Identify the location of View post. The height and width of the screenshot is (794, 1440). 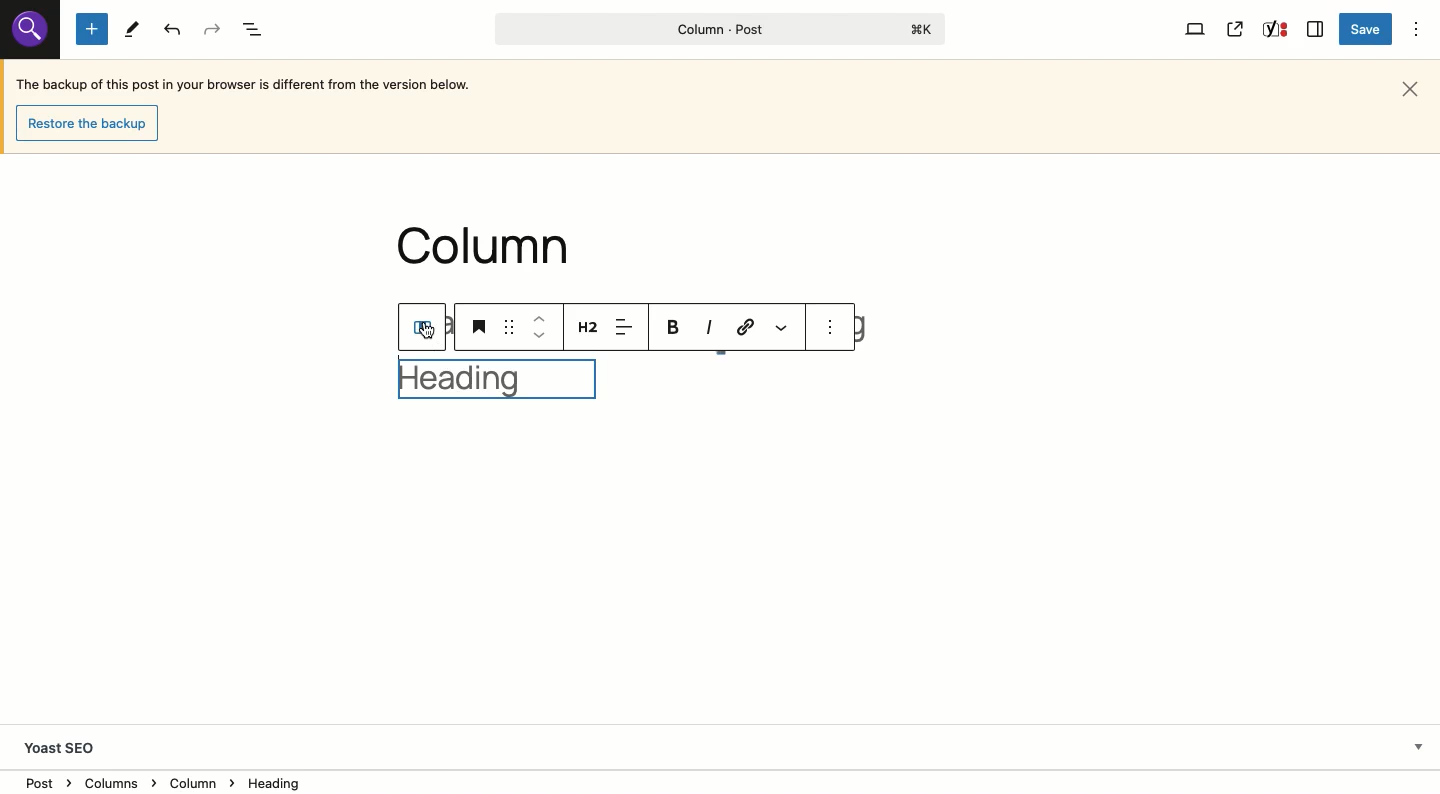
(1236, 29).